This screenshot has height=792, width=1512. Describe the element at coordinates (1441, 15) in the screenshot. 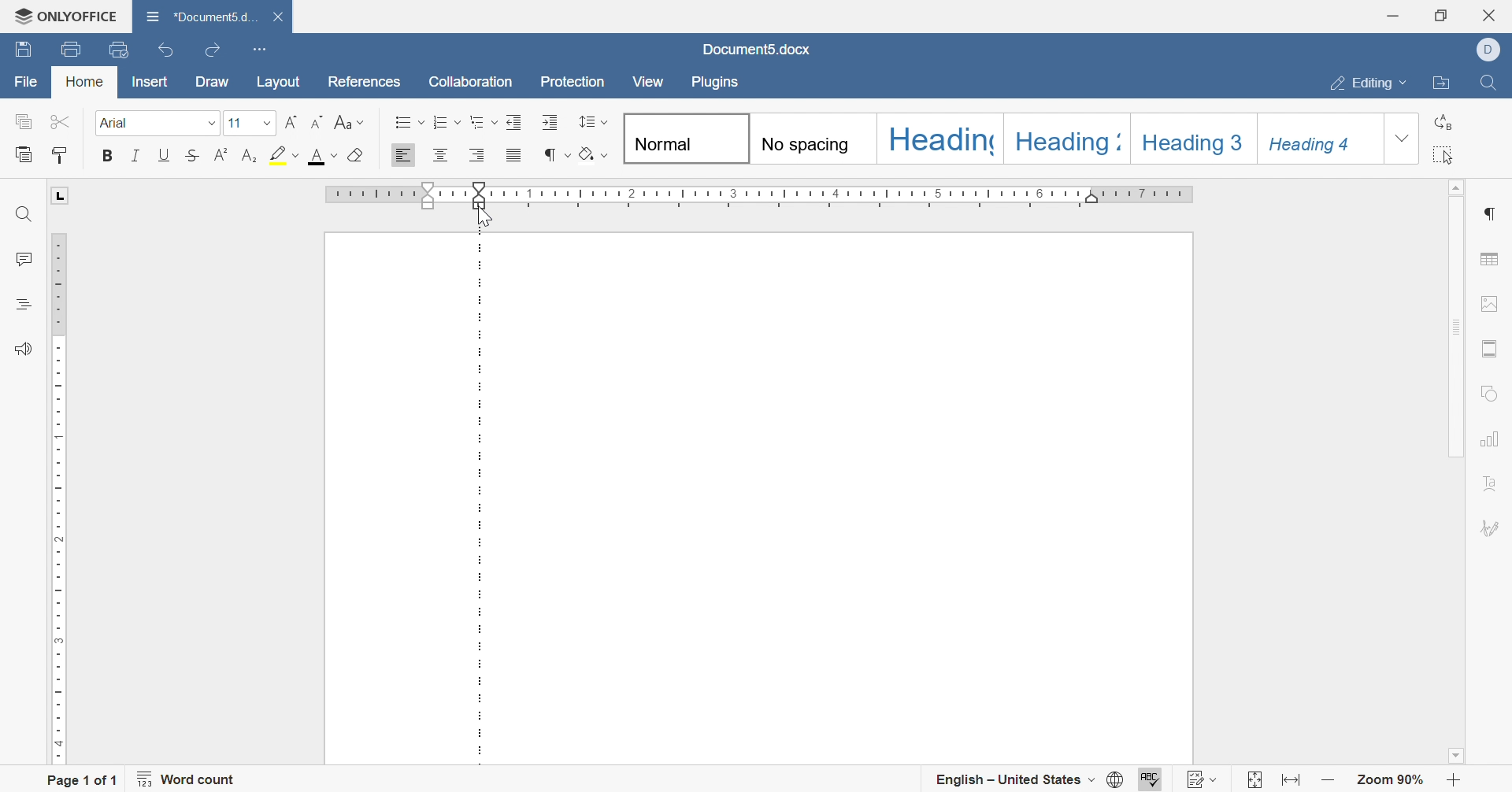

I see `restore down` at that location.